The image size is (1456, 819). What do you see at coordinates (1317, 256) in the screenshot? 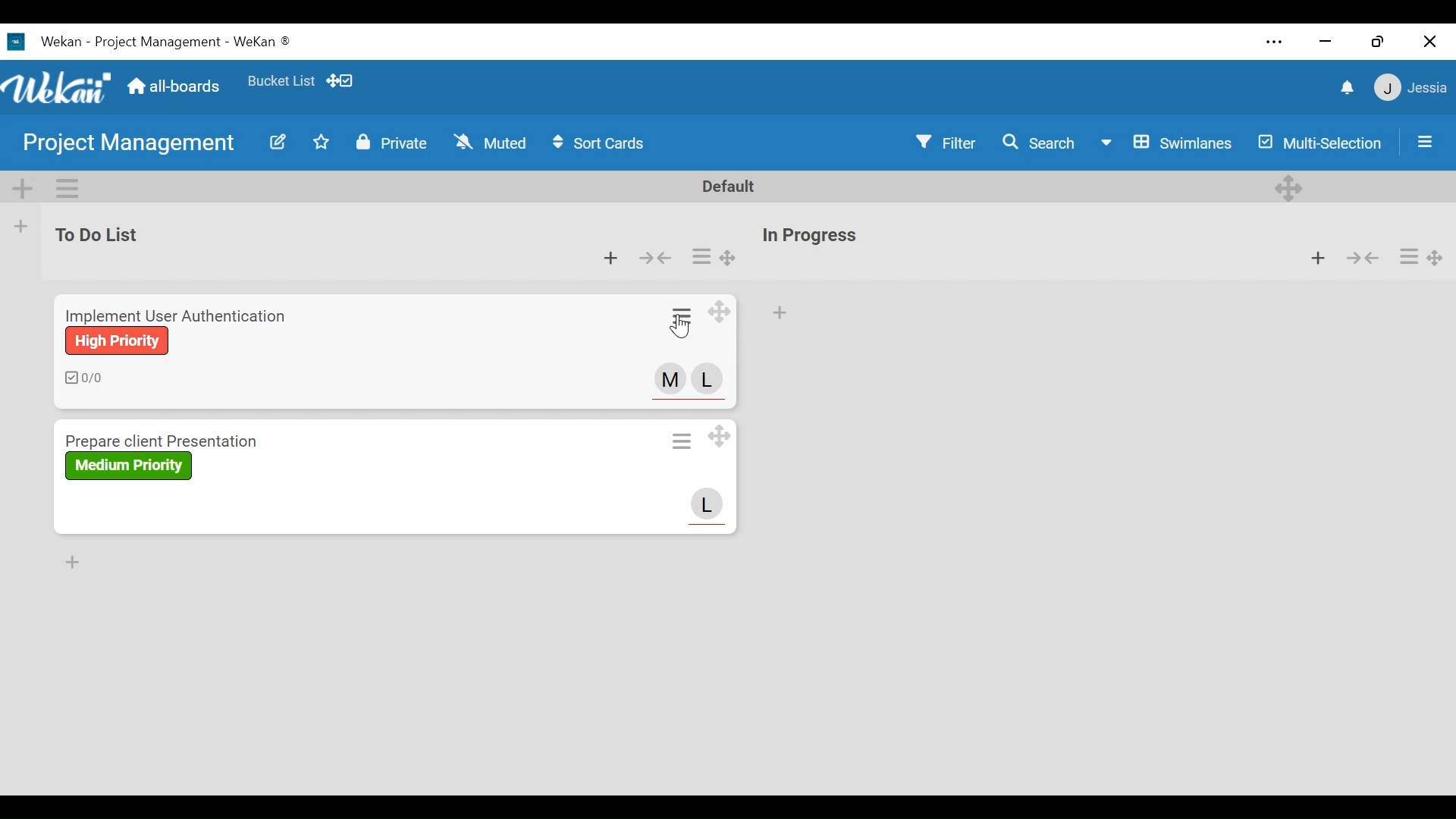
I see `Add Card to top of the list` at bounding box center [1317, 256].